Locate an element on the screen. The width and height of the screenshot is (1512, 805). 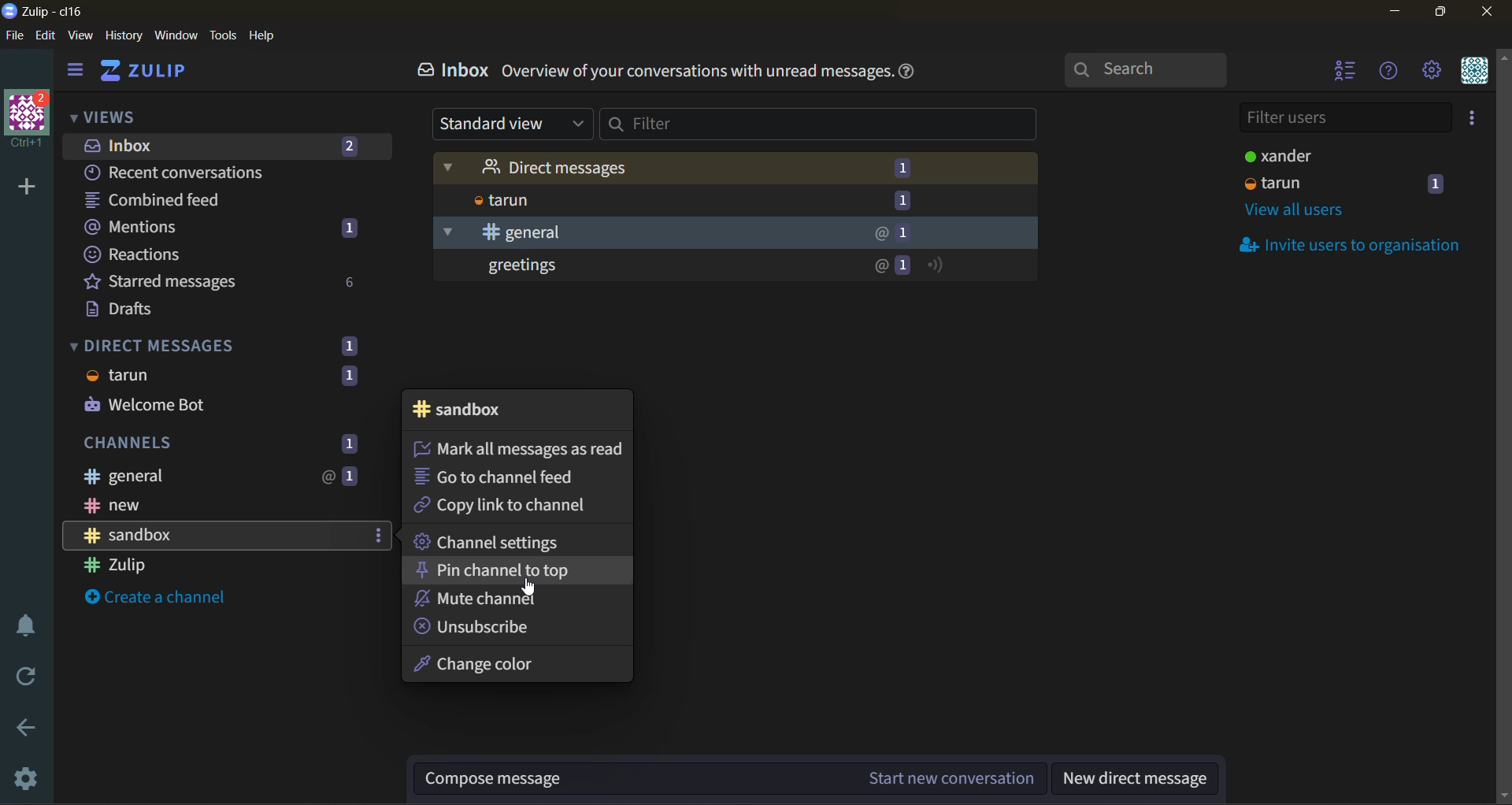
hide user list is located at coordinates (1341, 74).